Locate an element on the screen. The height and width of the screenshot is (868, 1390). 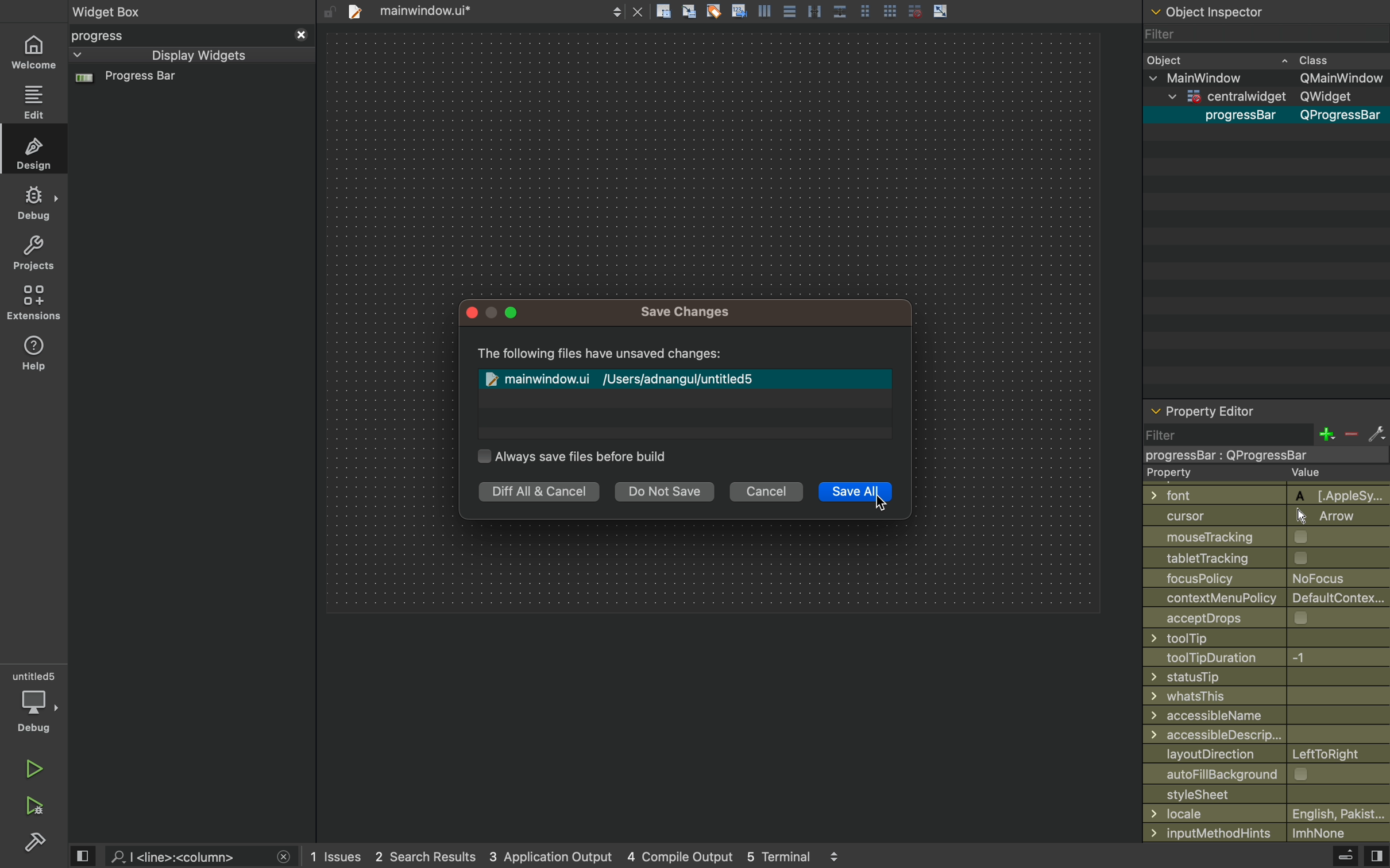
Filter is located at coordinates (1163, 37).